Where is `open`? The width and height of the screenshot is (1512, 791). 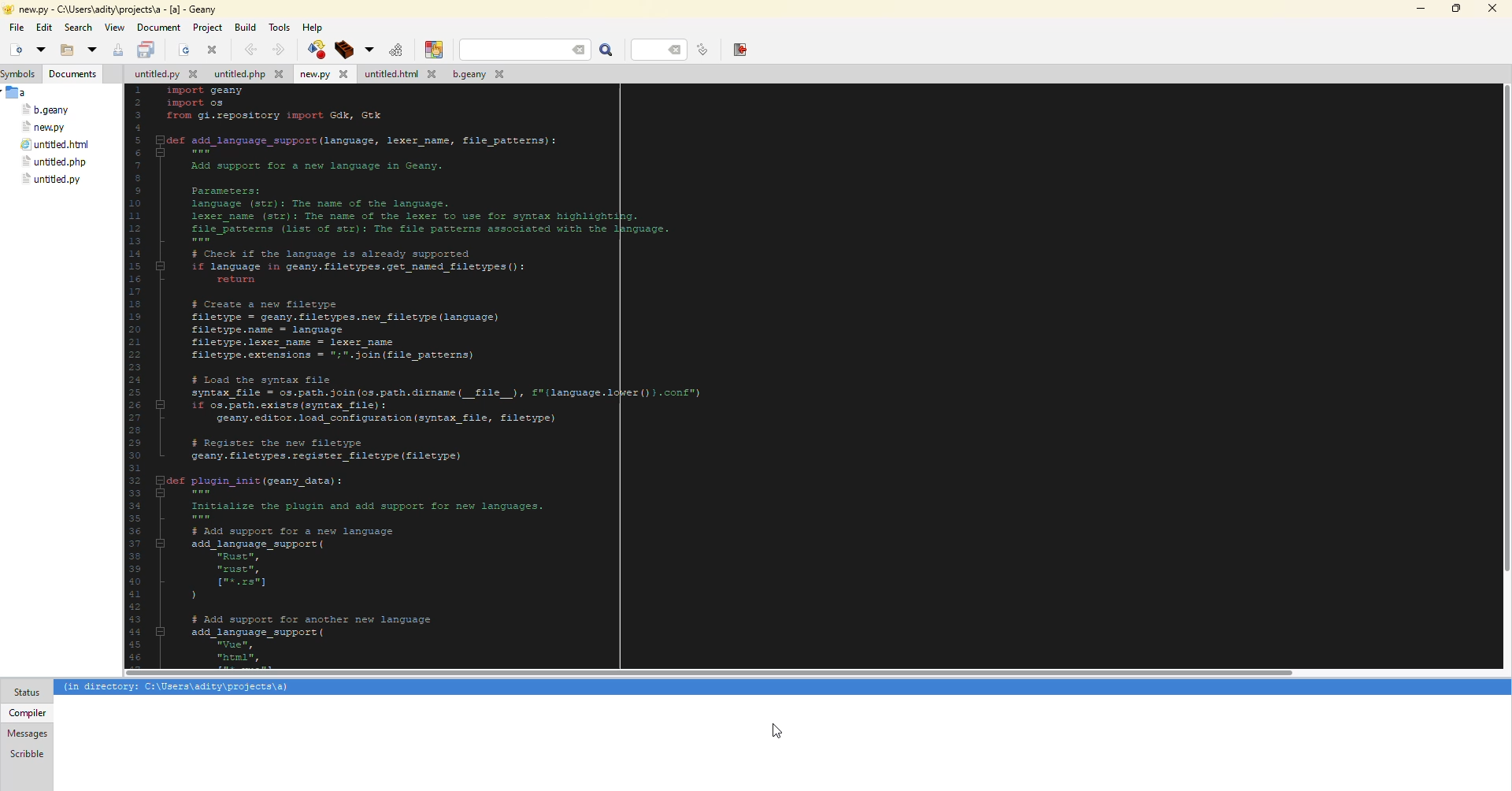 open is located at coordinates (66, 51).